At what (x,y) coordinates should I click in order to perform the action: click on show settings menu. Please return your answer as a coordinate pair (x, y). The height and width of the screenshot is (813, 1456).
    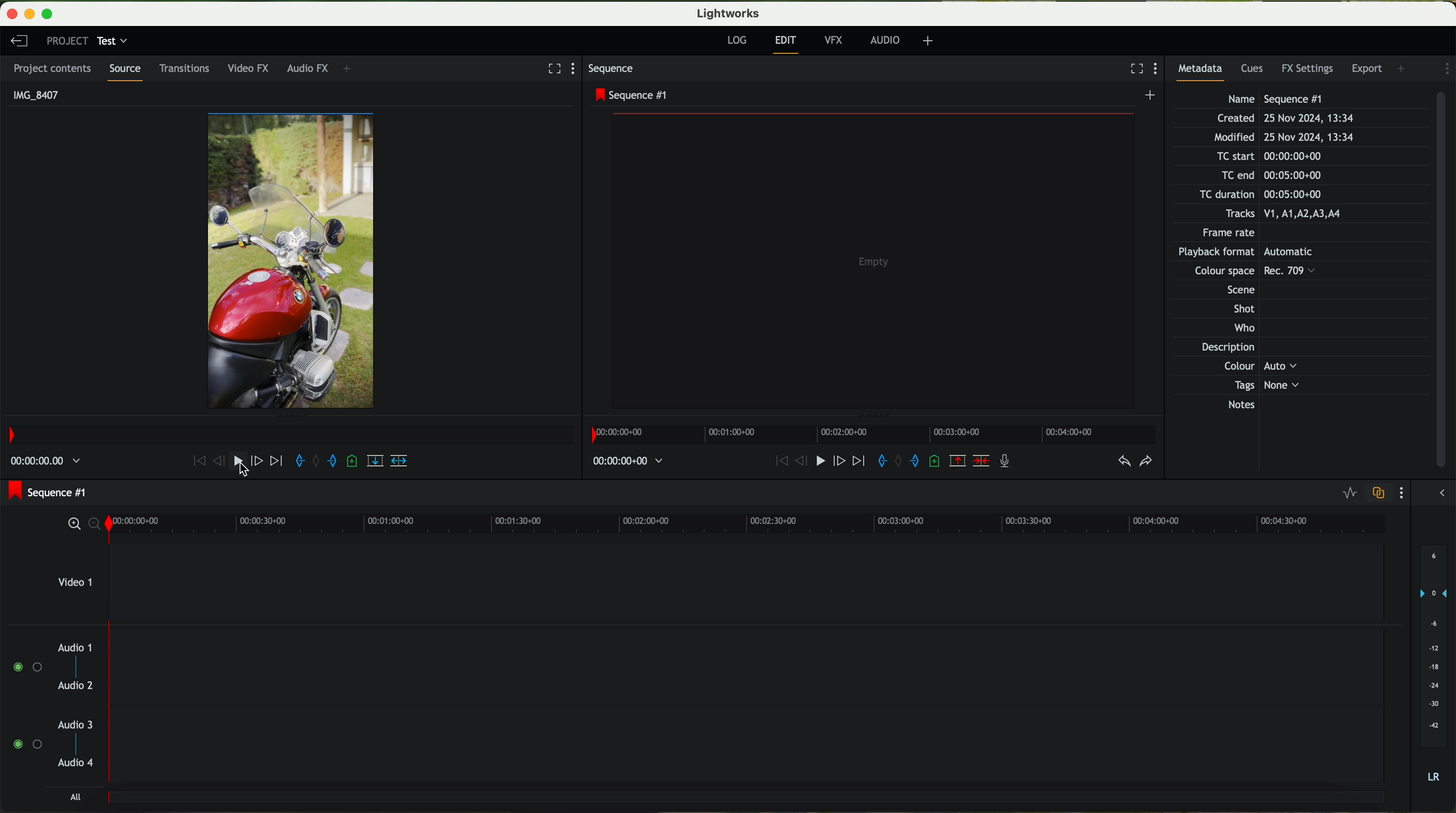
    Looking at the image, I should click on (1158, 70).